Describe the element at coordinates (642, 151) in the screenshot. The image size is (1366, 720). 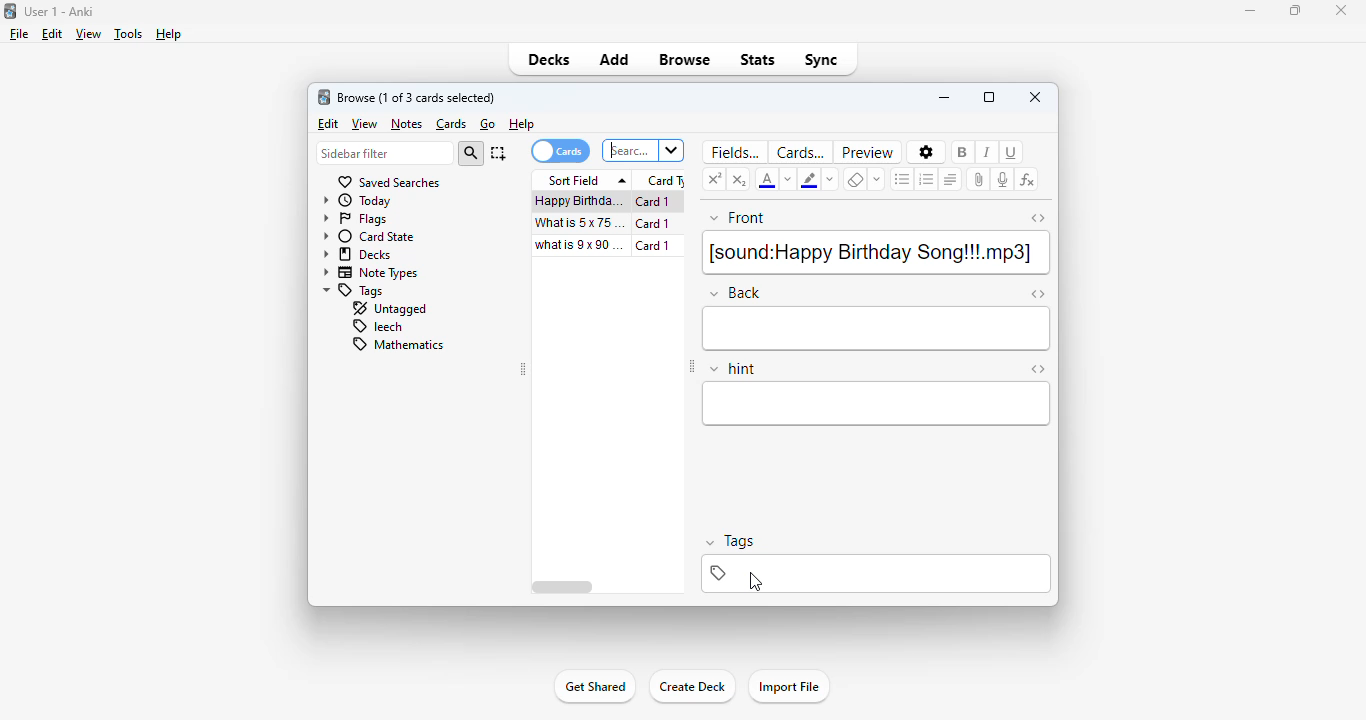
I see `search` at that location.